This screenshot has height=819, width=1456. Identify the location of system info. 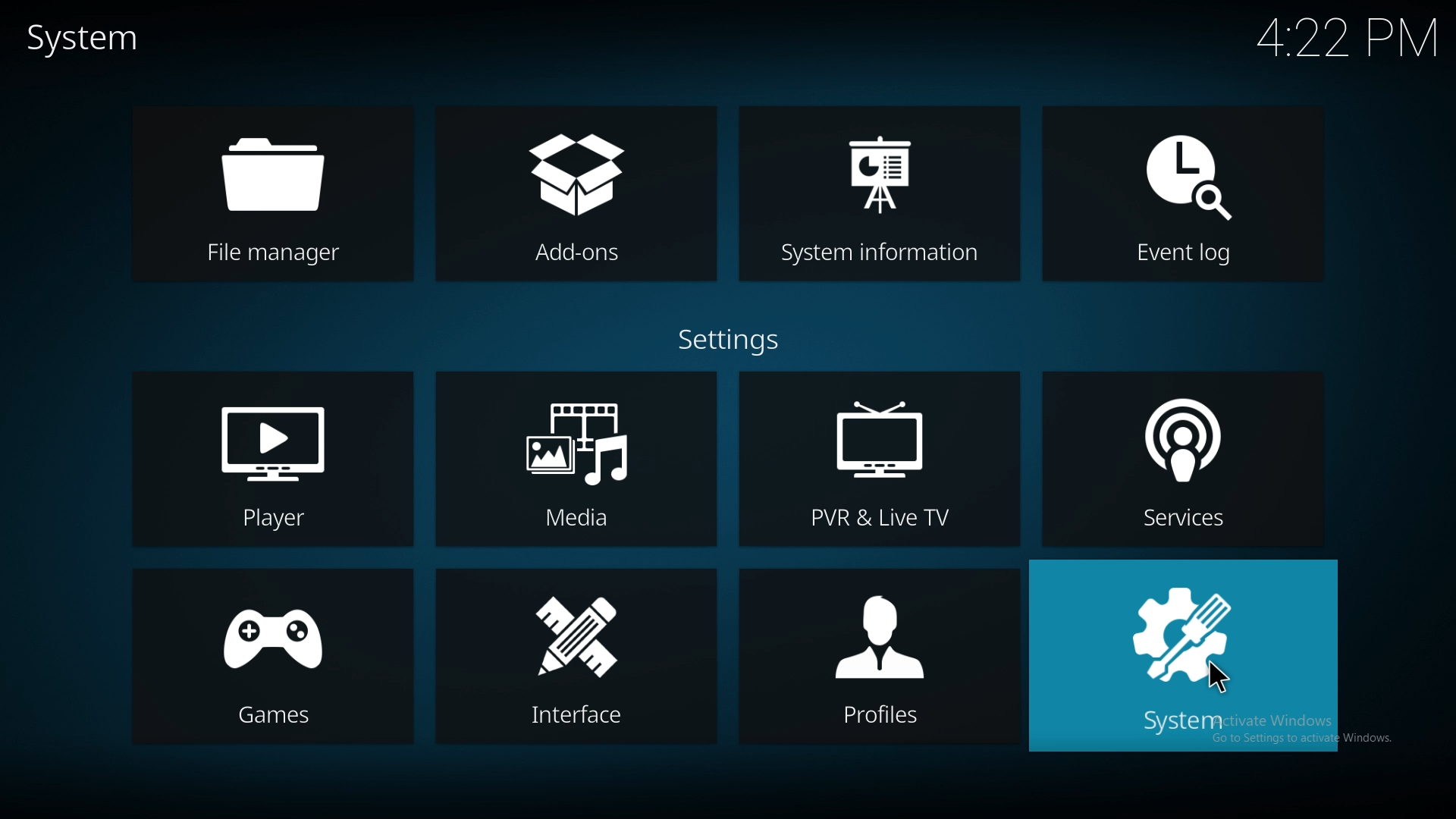
(881, 193).